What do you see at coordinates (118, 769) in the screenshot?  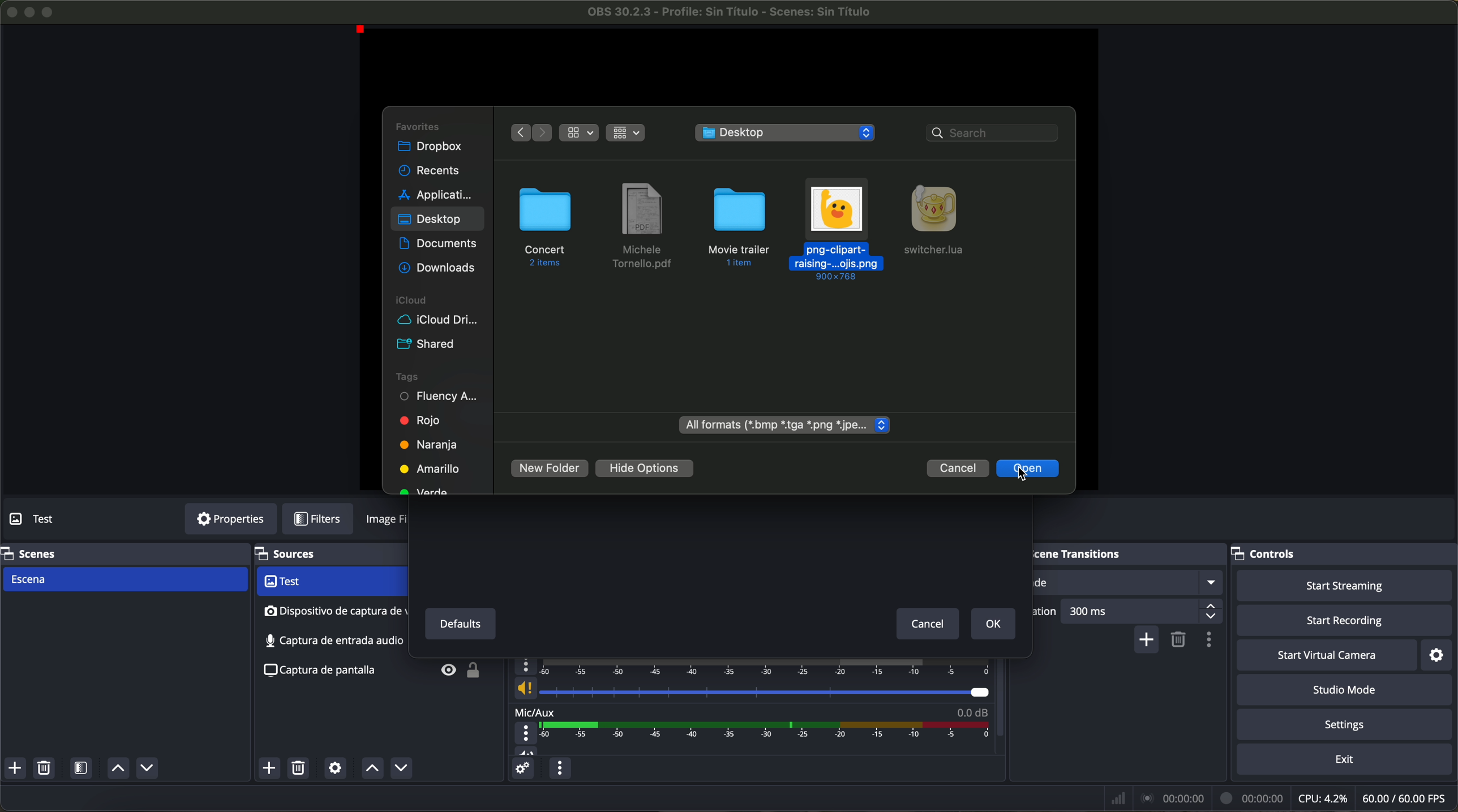 I see `move scene up` at bounding box center [118, 769].